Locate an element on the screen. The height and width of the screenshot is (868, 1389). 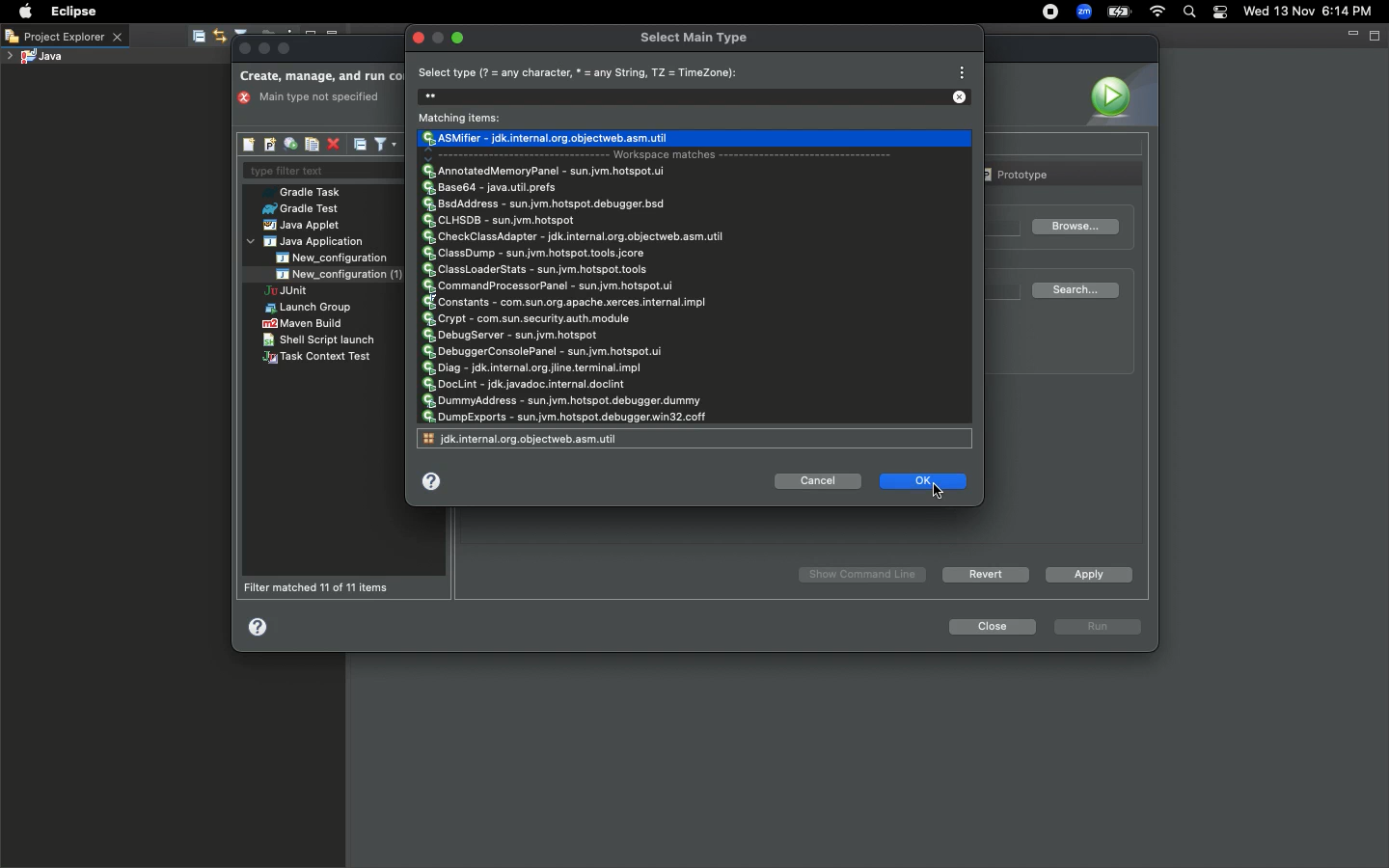
ClassDump - sun.jvm.hotspot.tools.jcore is located at coordinates (535, 254).